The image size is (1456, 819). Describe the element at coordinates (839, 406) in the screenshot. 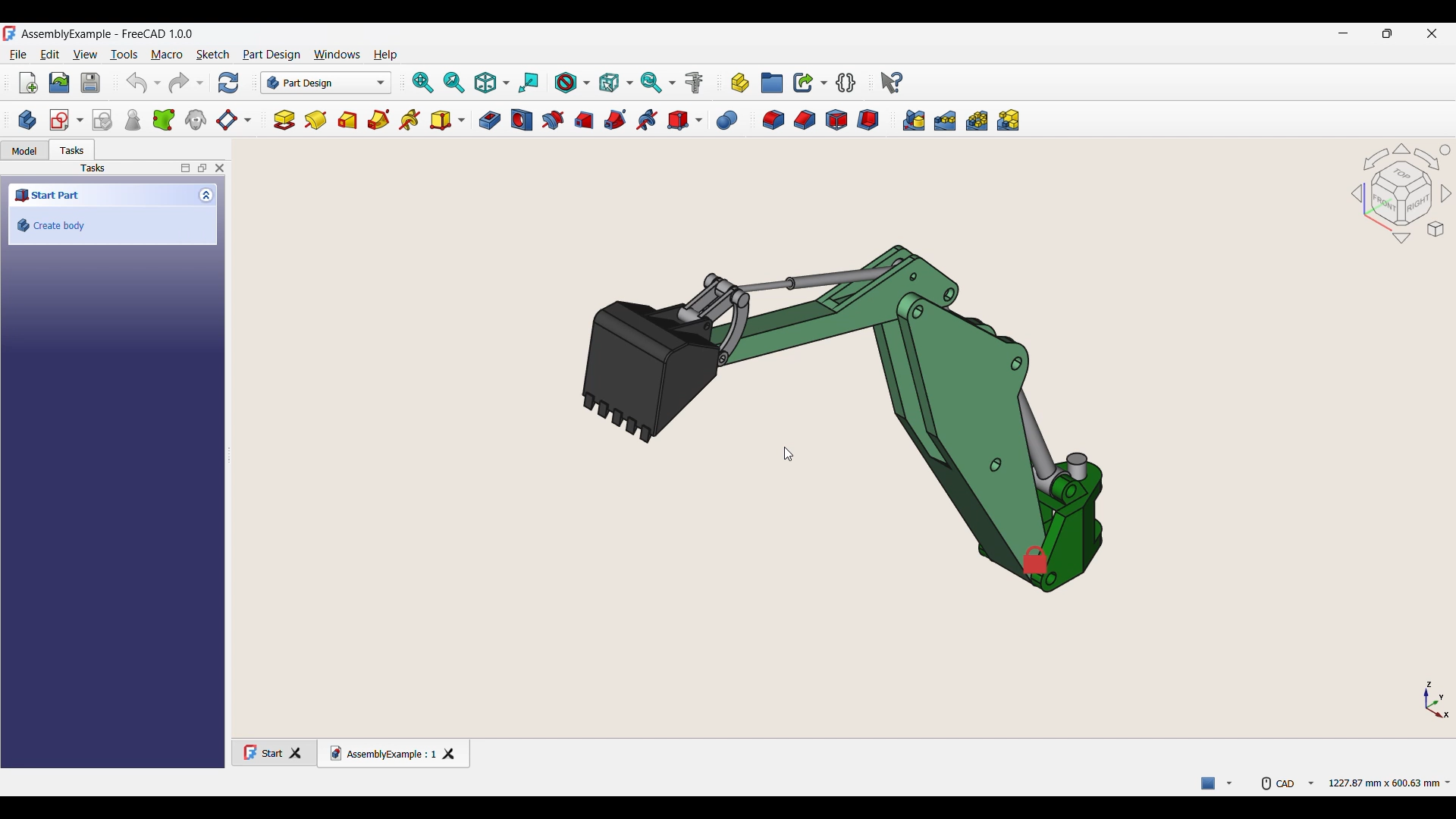

I see `Current image on canvas` at that location.